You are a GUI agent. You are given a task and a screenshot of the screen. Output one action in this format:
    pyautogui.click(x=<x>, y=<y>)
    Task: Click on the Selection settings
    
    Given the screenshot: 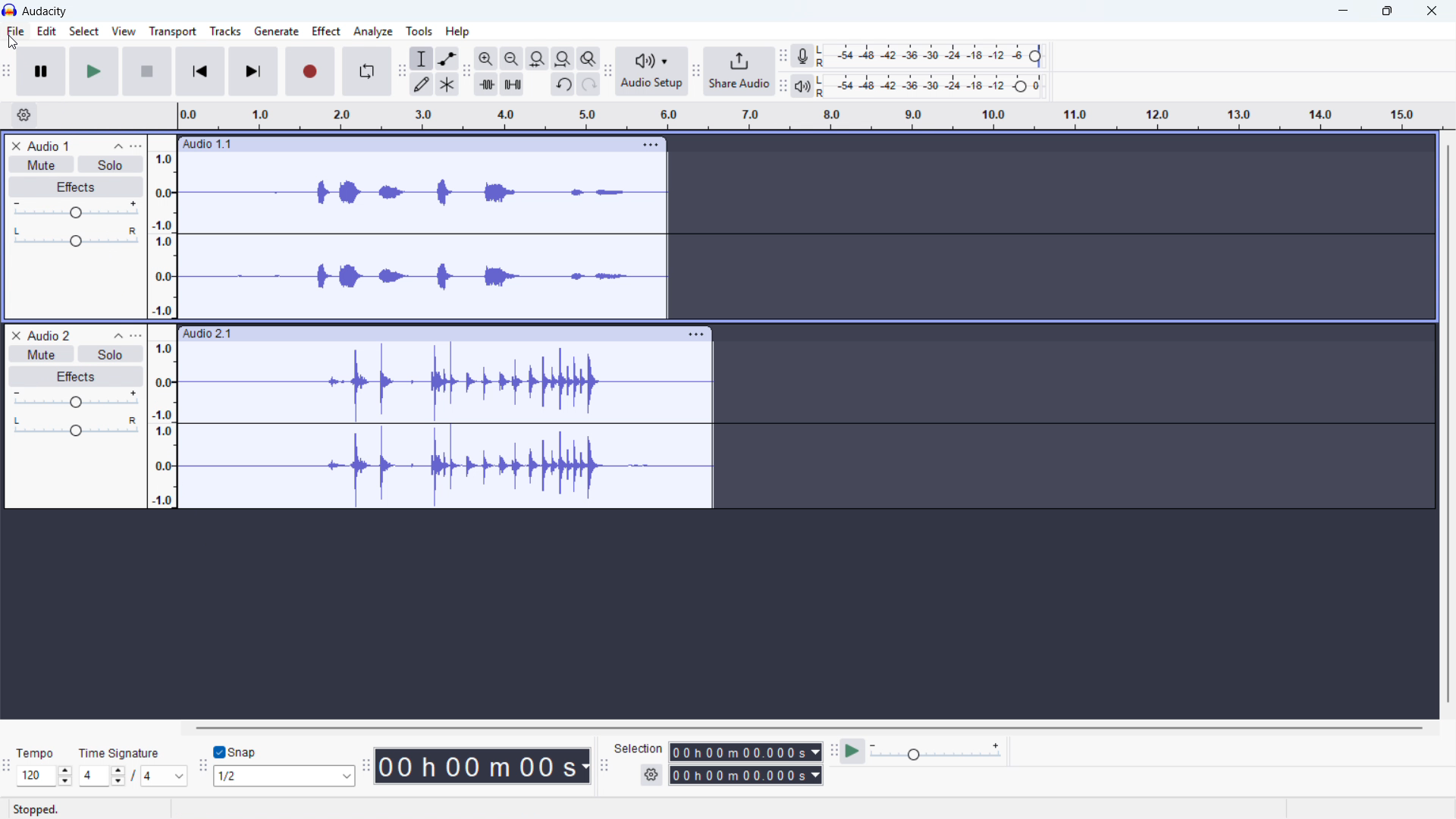 What is the action you would take?
    pyautogui.click(x=651, y=775)
    